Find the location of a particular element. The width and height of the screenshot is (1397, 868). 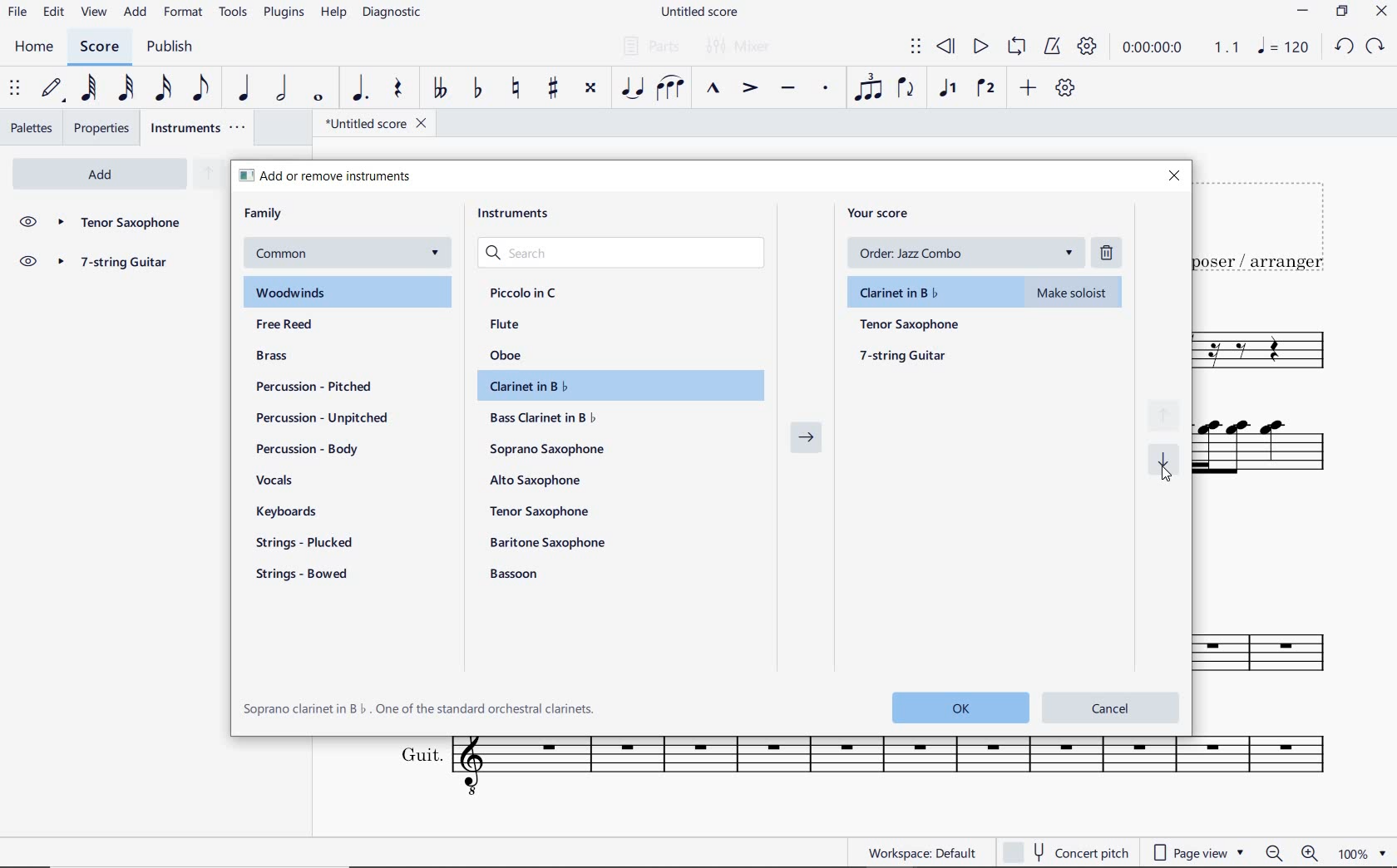

HELP is located at coordinates (331, 14).